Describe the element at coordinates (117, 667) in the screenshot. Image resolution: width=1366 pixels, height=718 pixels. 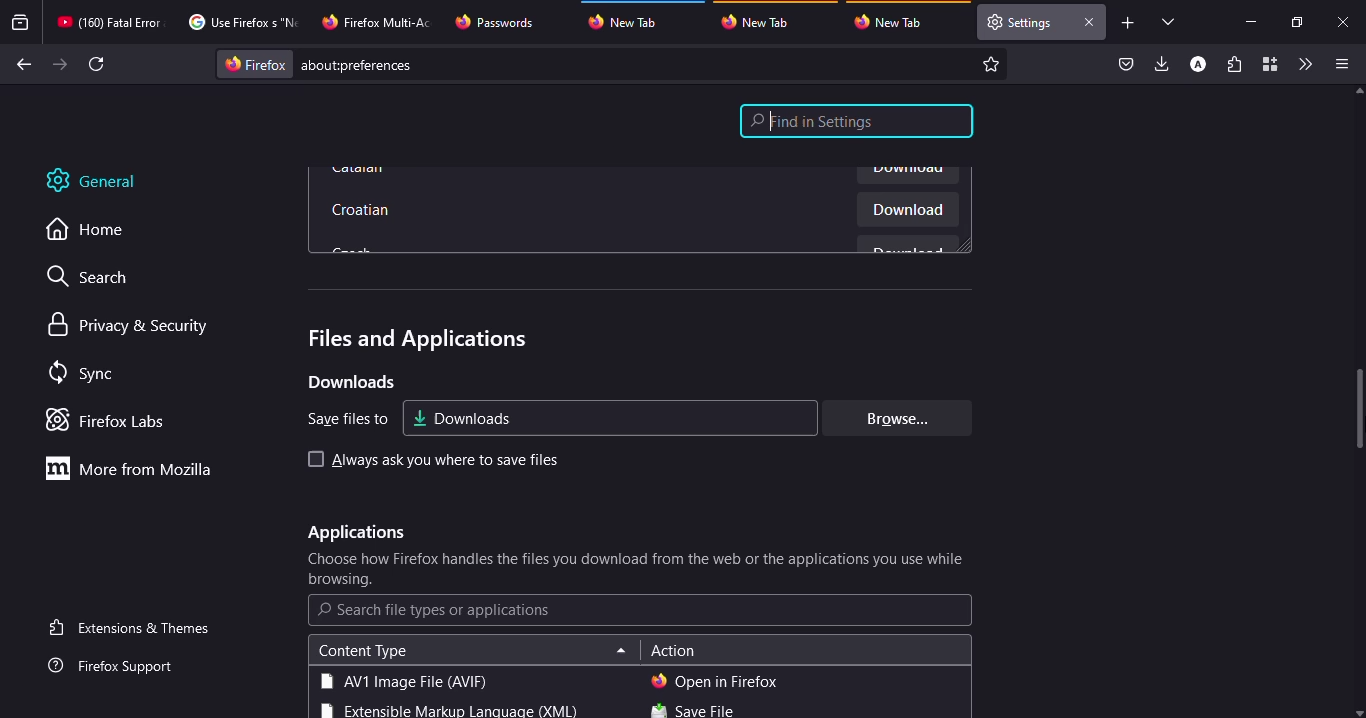
I see `support` at that location.